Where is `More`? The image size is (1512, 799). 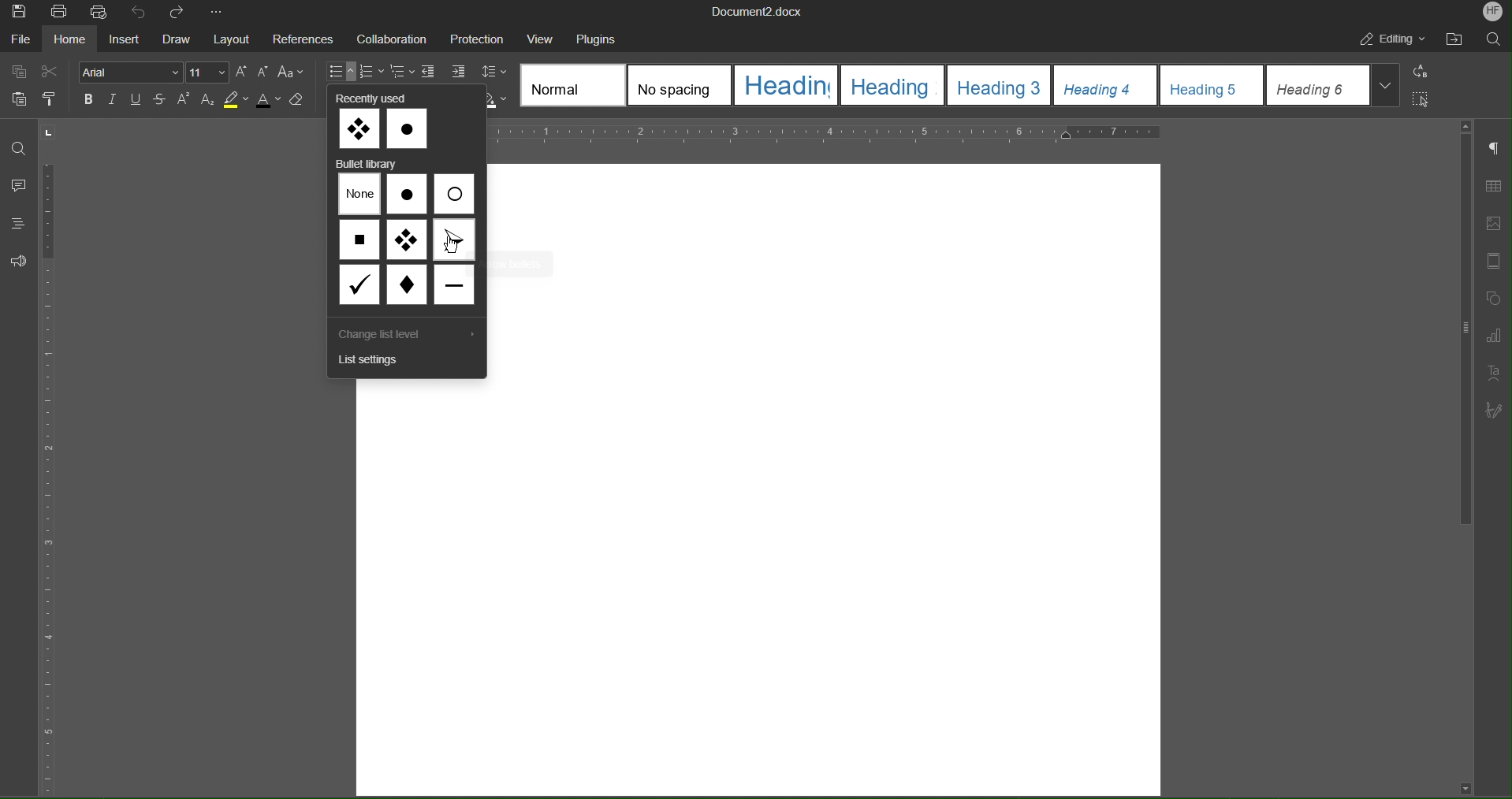 More is located at coordinates (221, 14).